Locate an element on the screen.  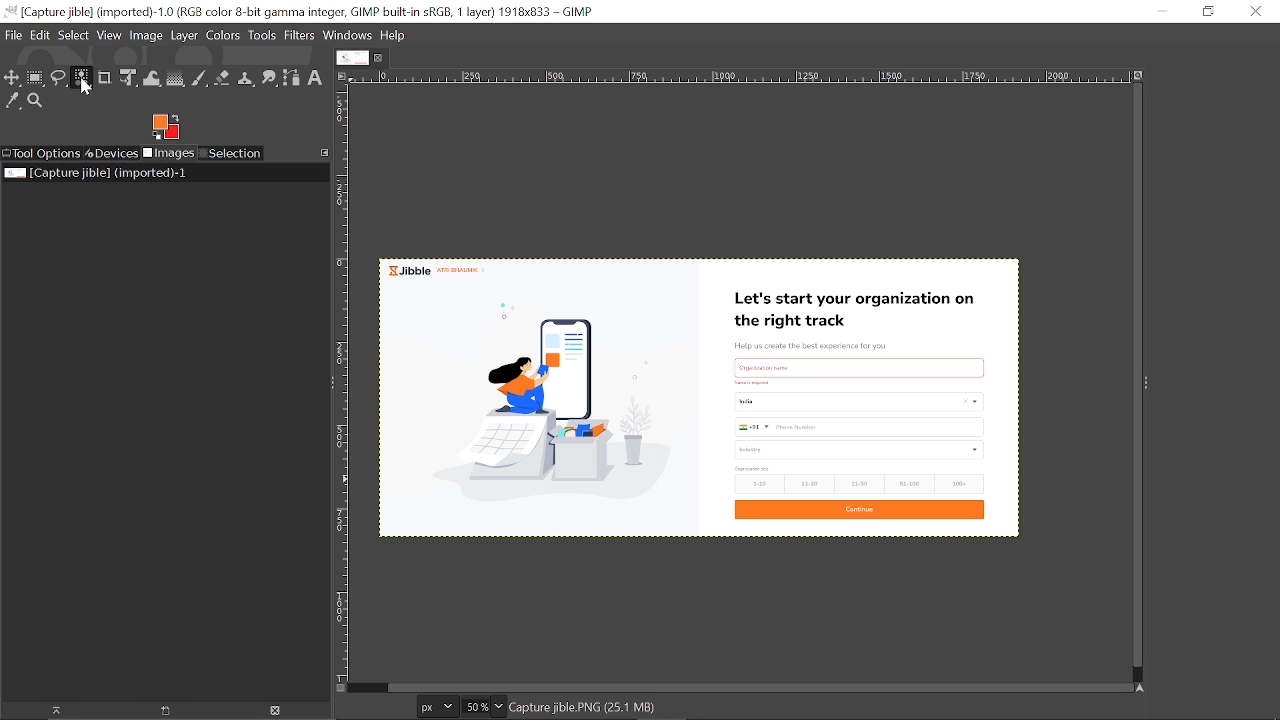
Unified transform tool is located at coordinates (128, 78).